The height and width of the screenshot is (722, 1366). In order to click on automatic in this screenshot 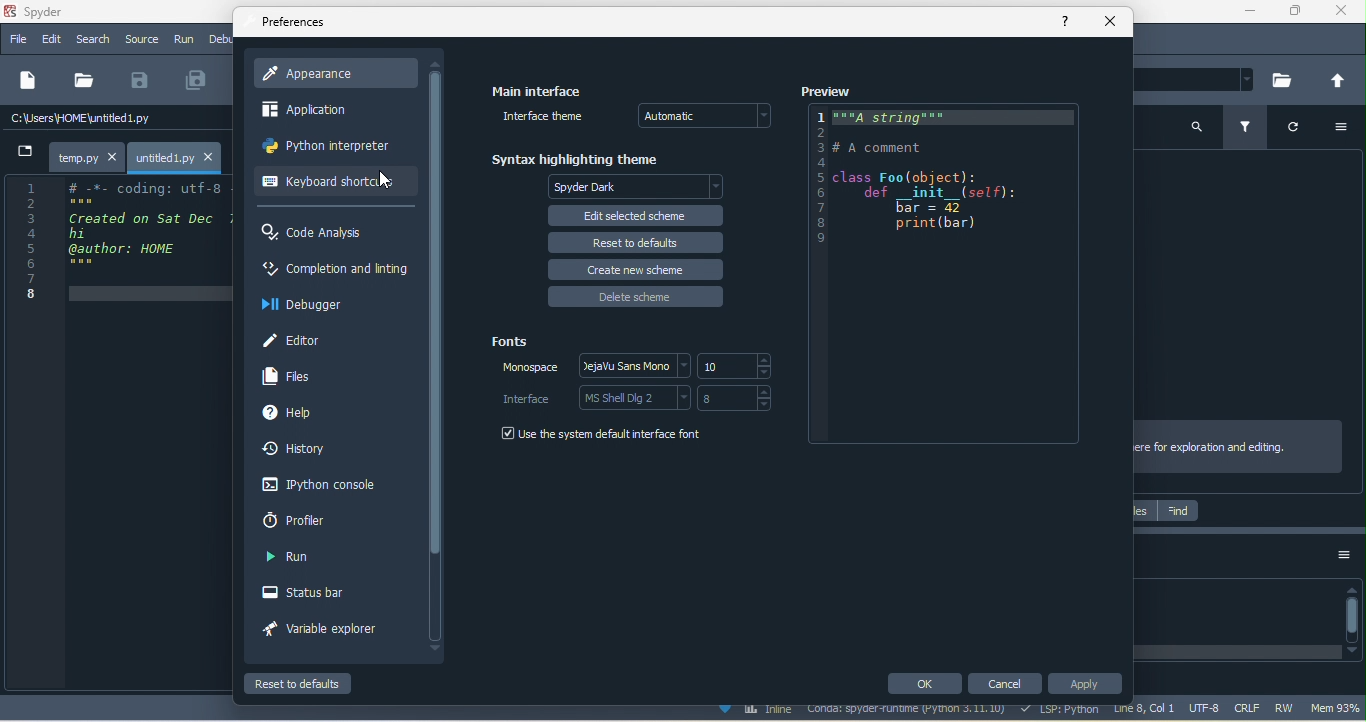, I will do `click(711, 117)`.